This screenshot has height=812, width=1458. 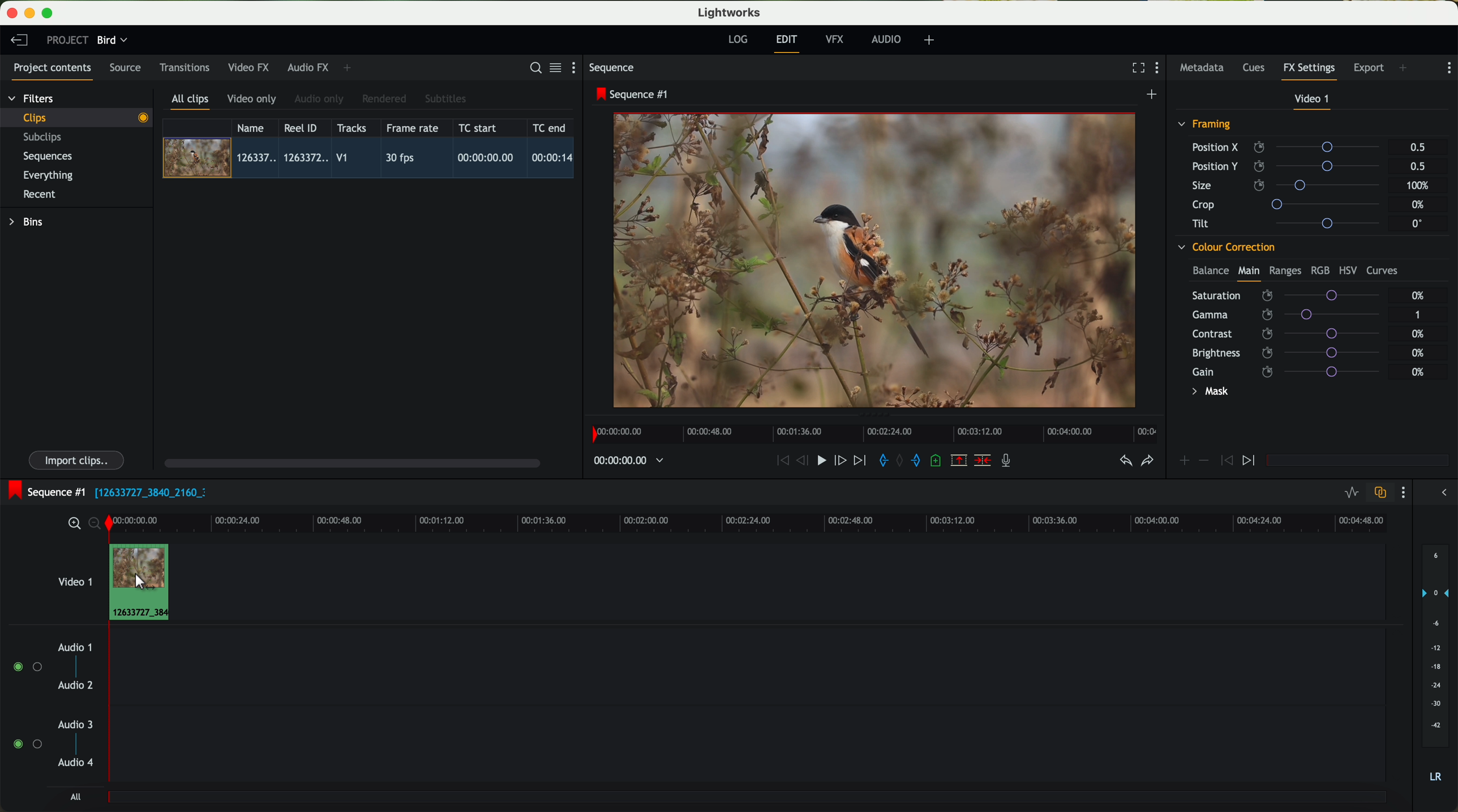 What do you see at coordinates (1417, 166) in the screenshot?
I see `0.5` at bounding box center [1417, 166].